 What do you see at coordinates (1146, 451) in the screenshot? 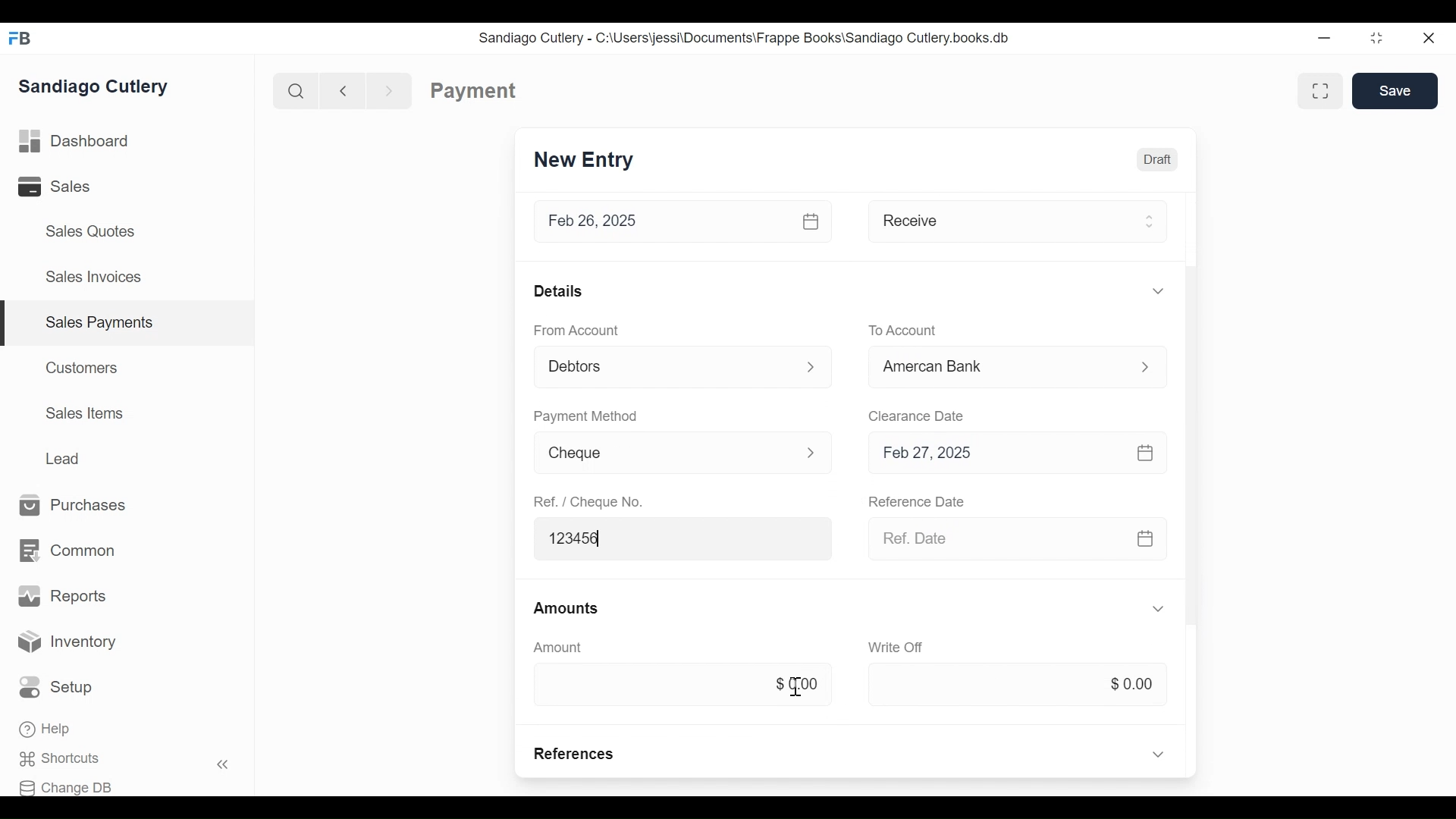
I see `Calendar` at bounding box center [1146, 451].